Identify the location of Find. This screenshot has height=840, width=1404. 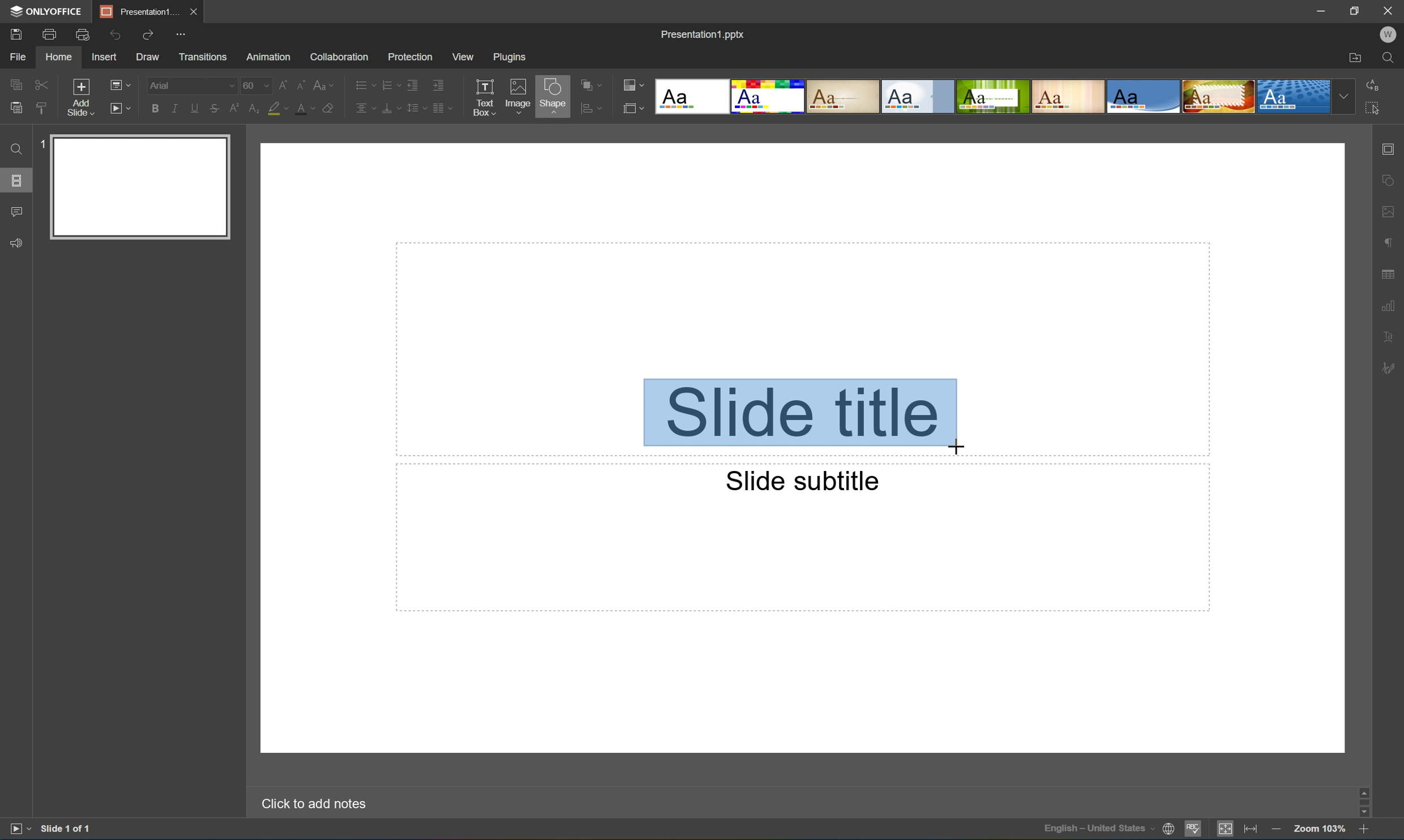
(14, 149).